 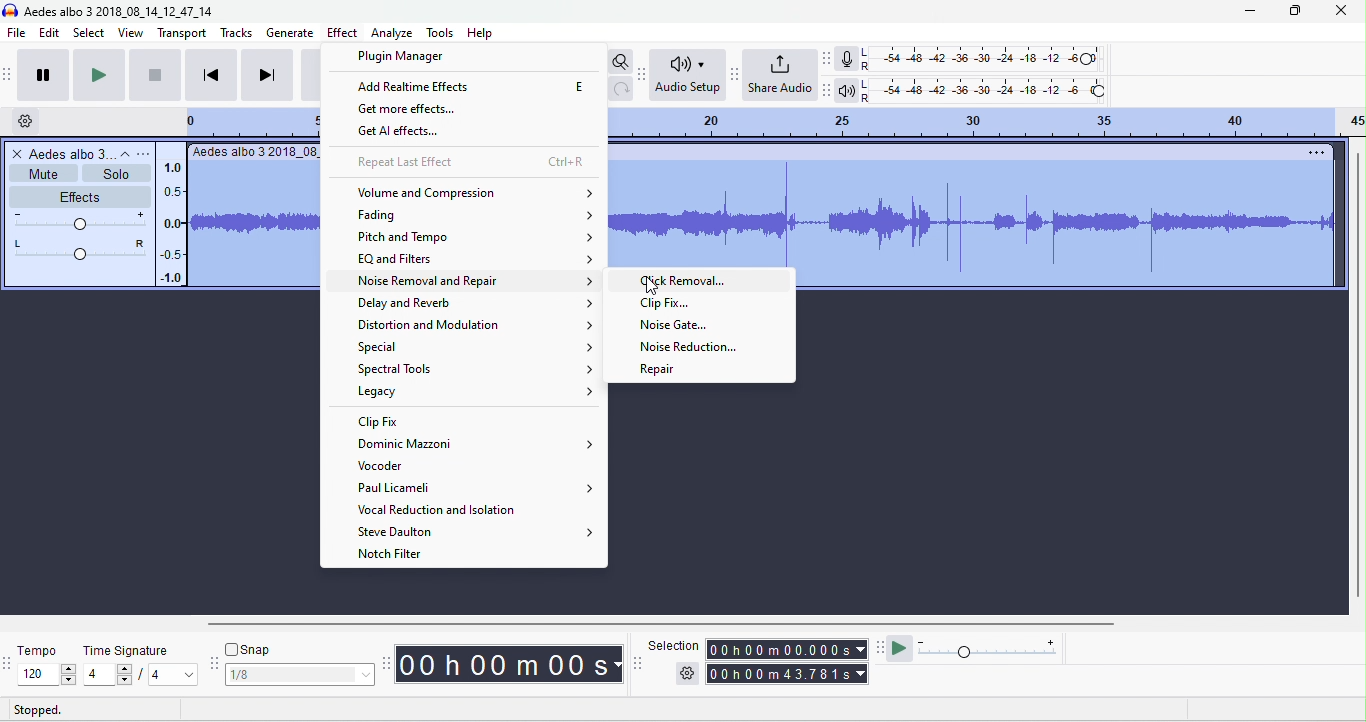 I want to click on help, so click(x=482, y=34).